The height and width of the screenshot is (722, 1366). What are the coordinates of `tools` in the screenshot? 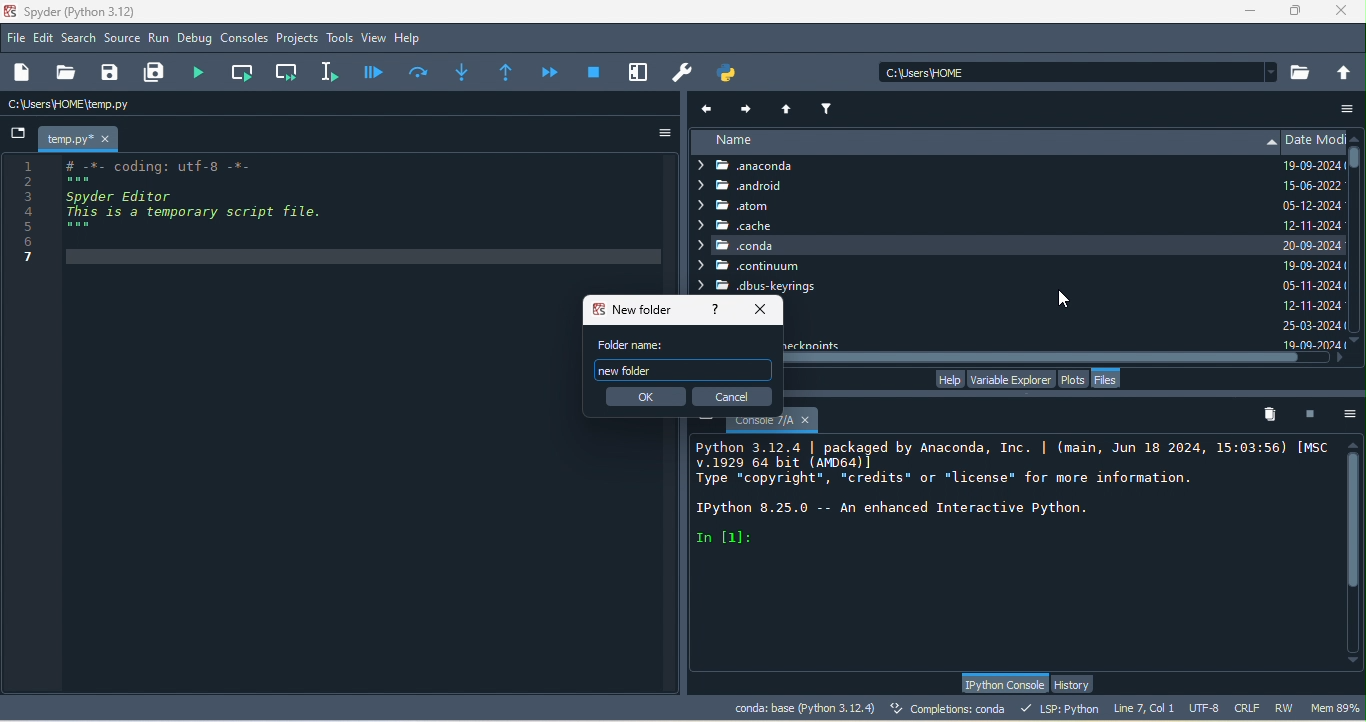 It's located at (340, 39).